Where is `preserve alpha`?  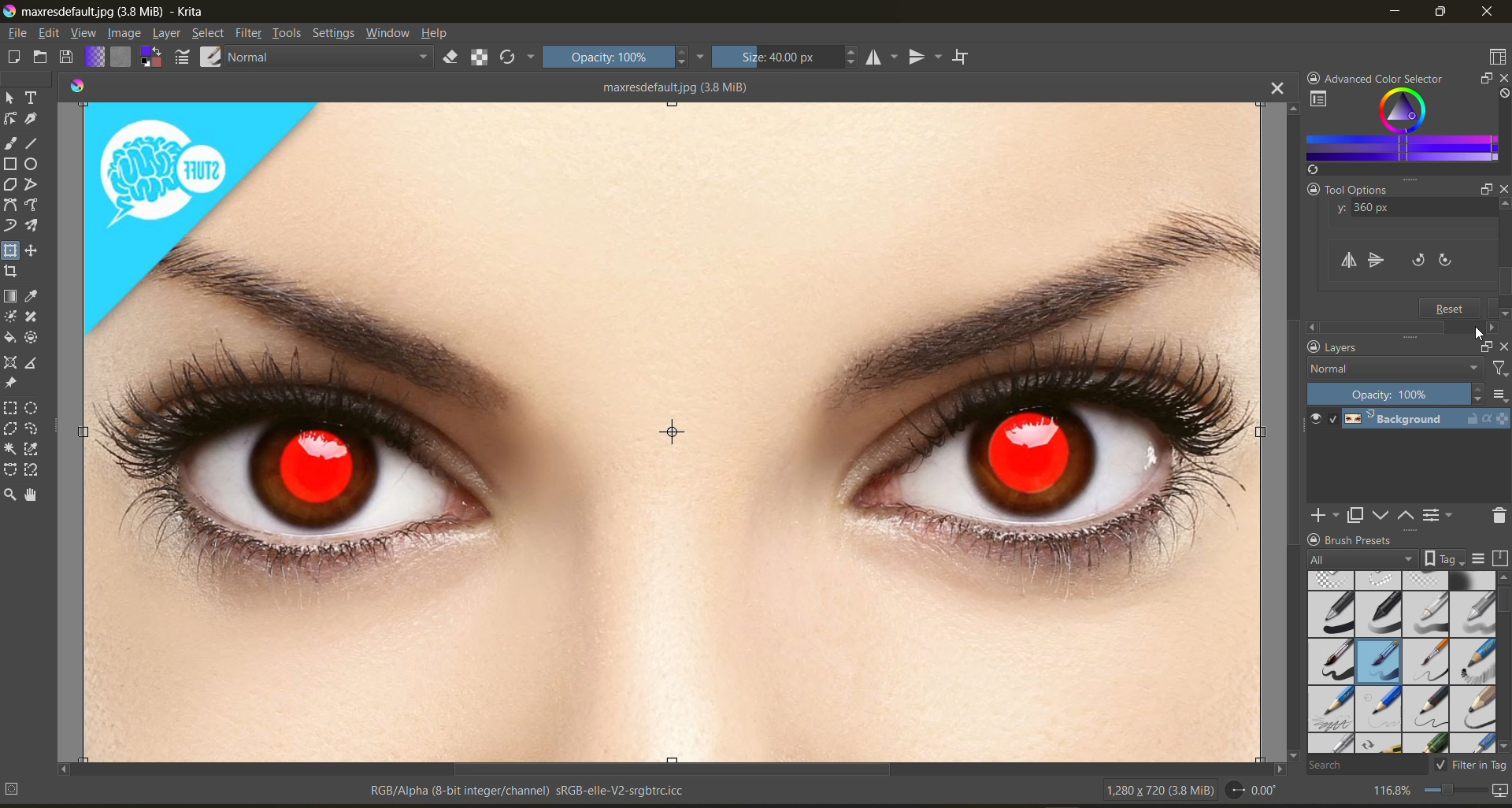
preserve alpha is located at coordinates (481, 57).